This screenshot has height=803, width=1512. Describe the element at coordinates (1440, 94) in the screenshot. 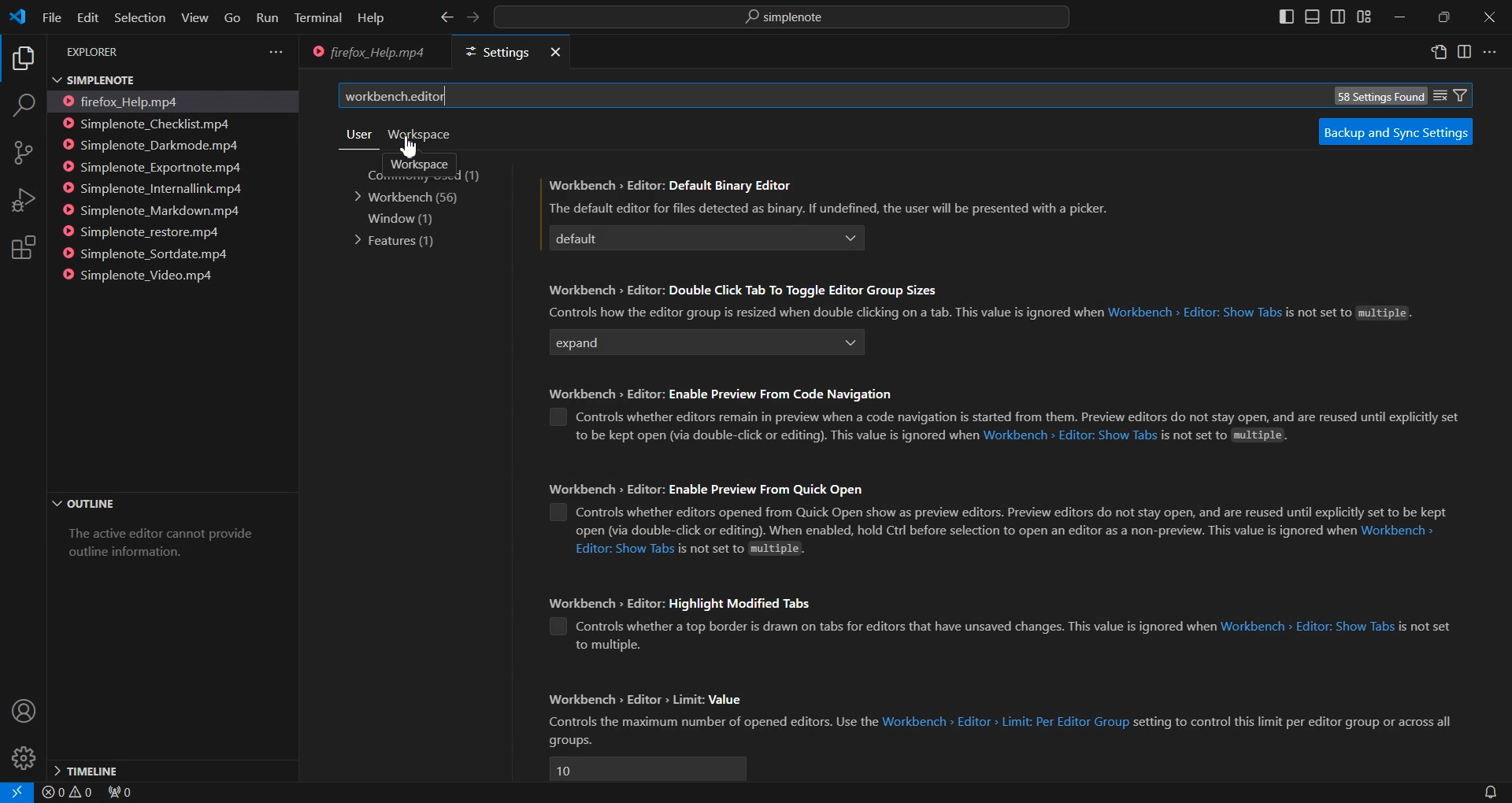

I see `Clear setting search input` at that location.